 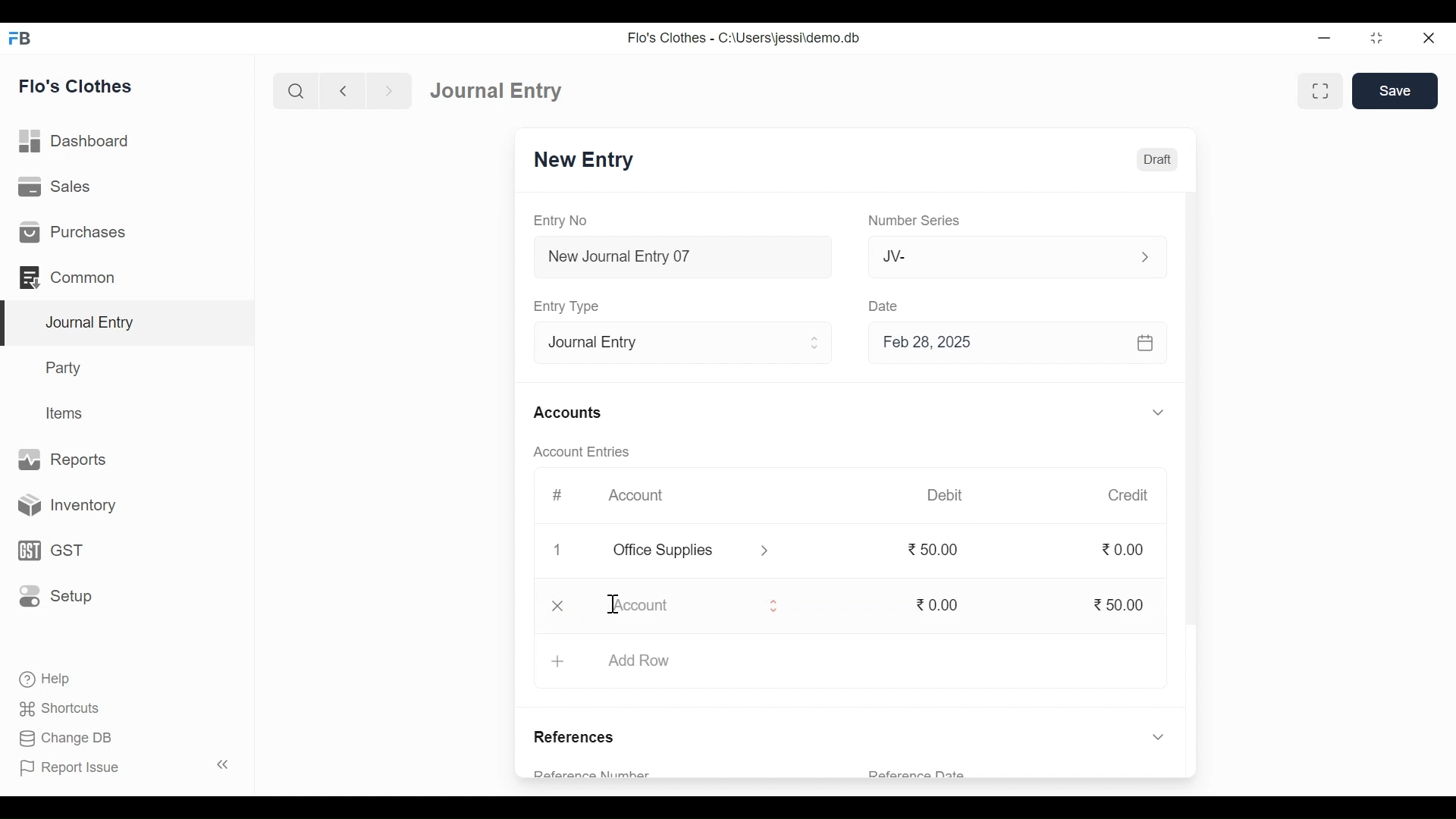 I want to click on Date, so click(x=888, y=307).